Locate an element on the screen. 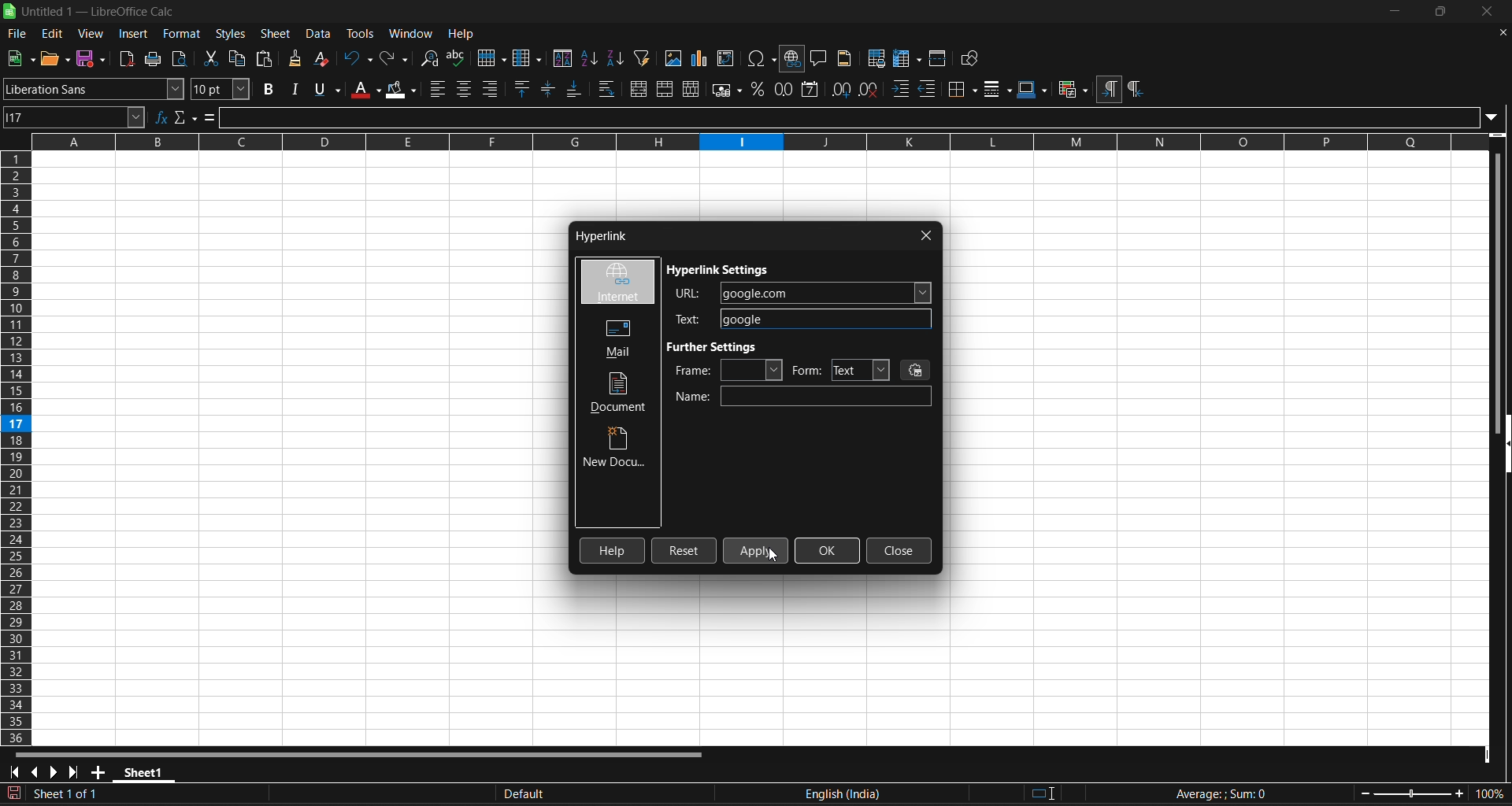 This screenshot has height=806, width=1512. sort ascending is located at coordinates (591, 58).